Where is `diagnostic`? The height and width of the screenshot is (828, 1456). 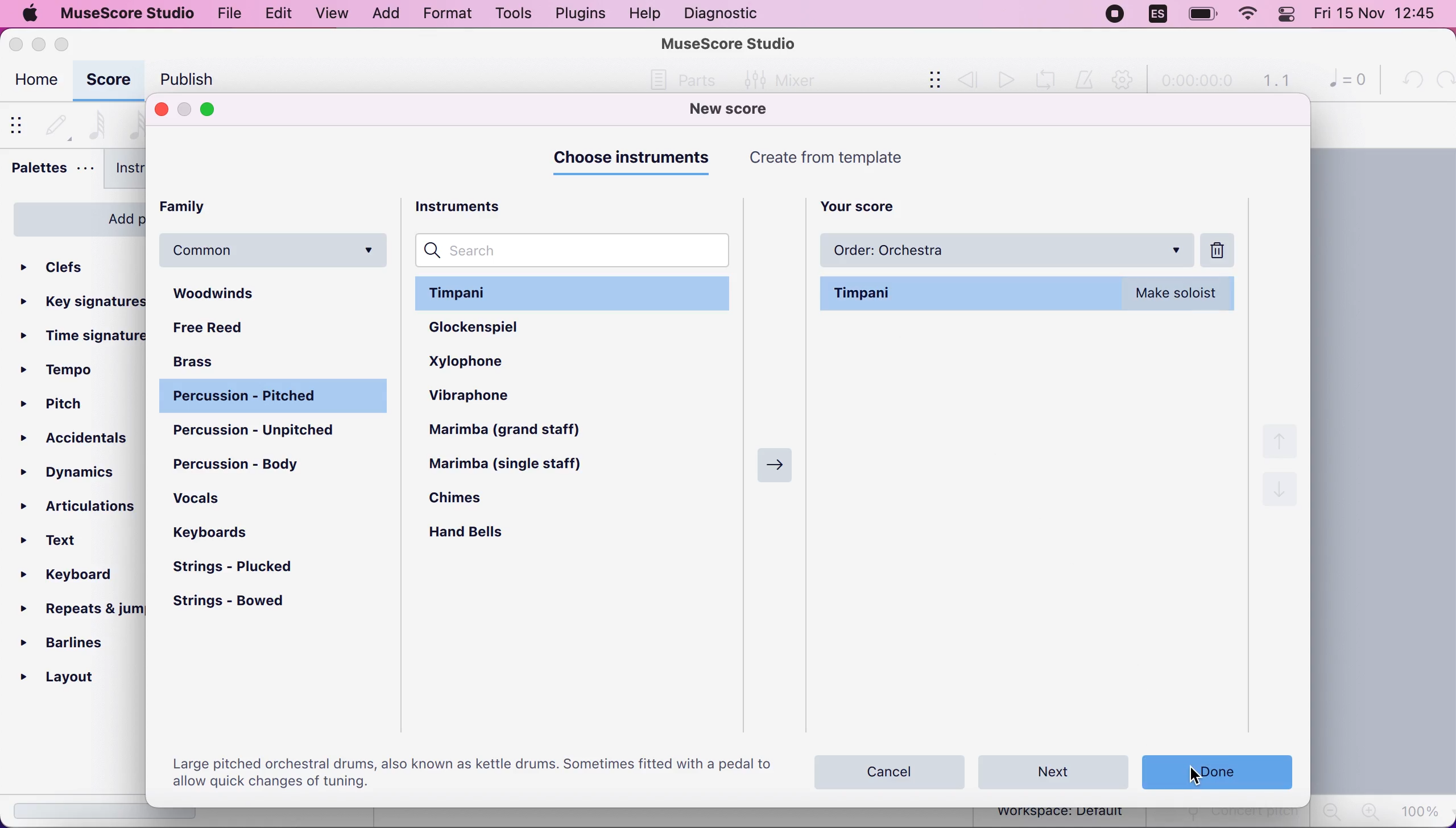
diagnostic is located at coordinates (725, 13).